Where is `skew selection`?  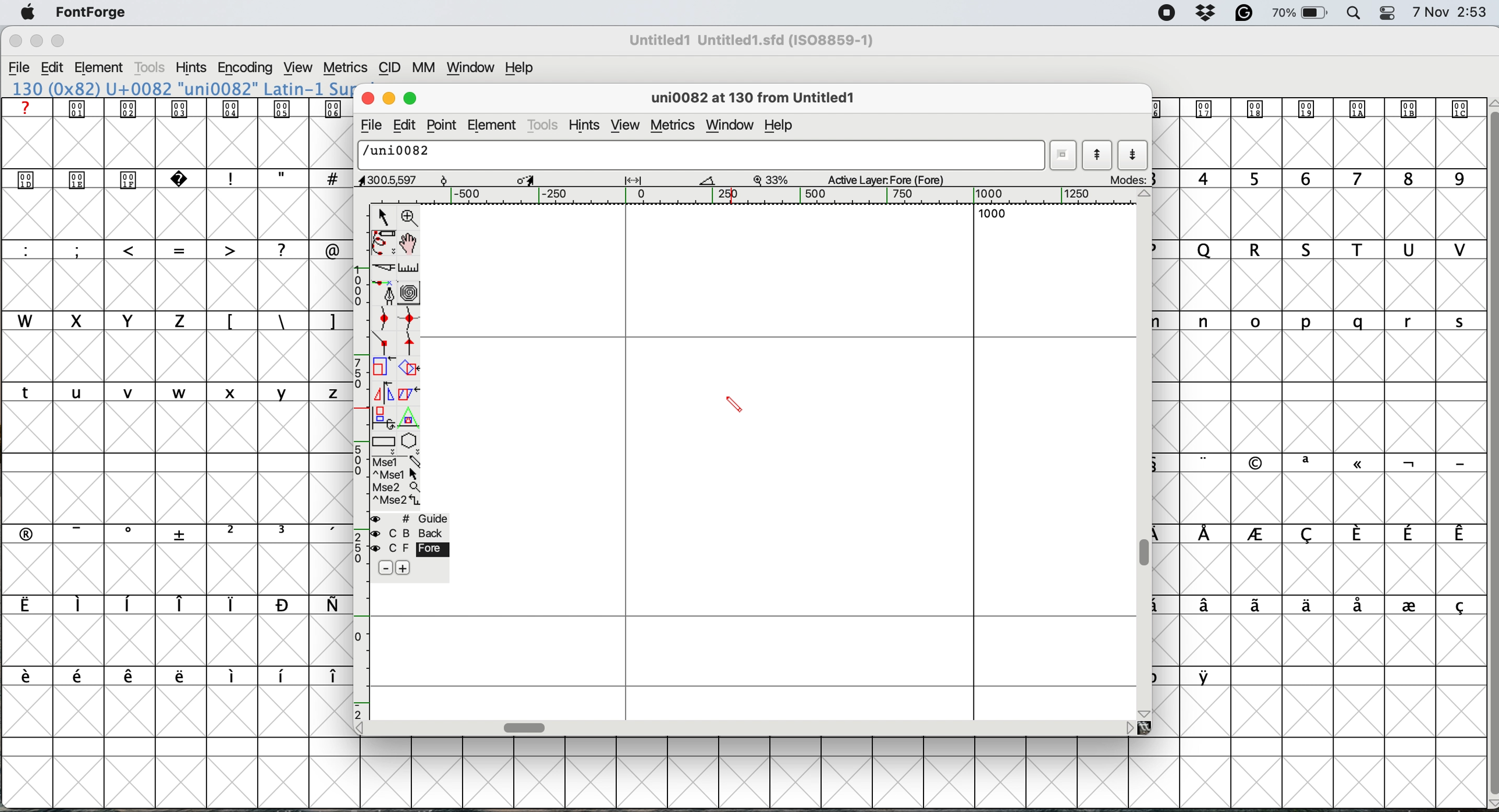
skew selection is located at coordinates (406, 393).